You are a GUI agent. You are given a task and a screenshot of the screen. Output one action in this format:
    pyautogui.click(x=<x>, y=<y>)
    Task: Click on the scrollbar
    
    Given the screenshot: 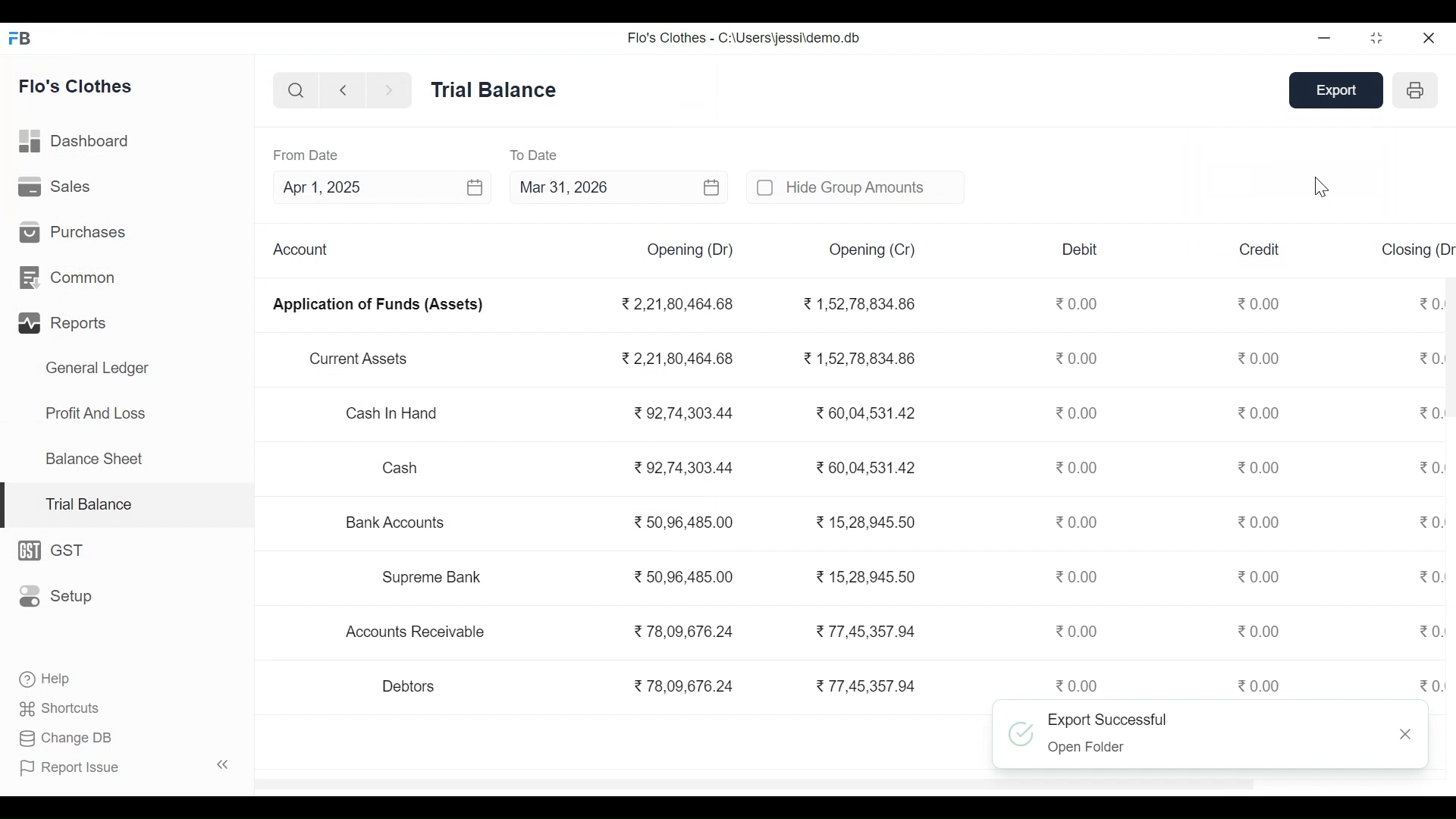 What is the action you would take?
    pyautogui.click(x=759, y=783)
    